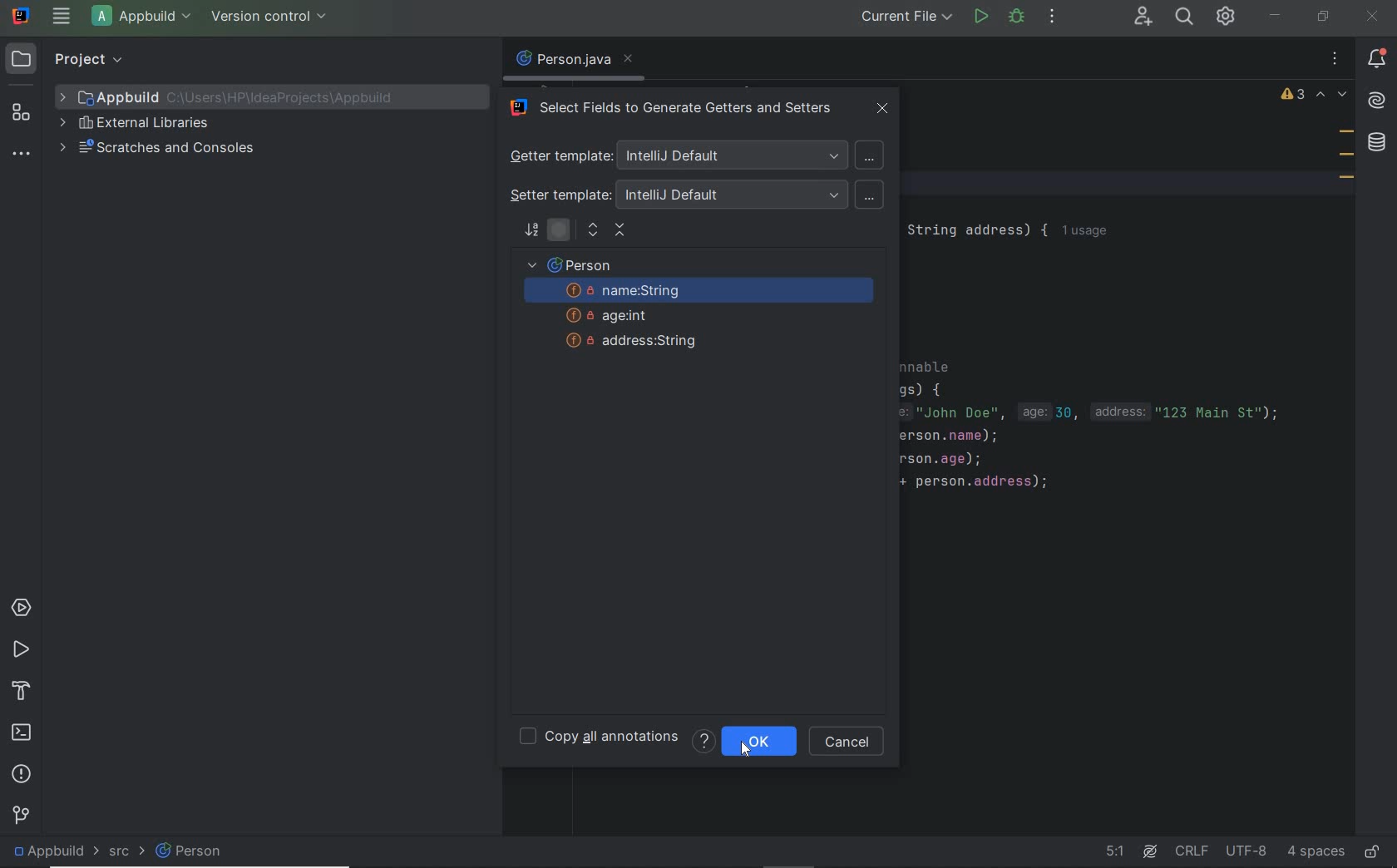 The width and height of the screenshot is (1397, 868). Describe the element at coordinates (1373, 17) in the screenshot. I see `close` at that location.